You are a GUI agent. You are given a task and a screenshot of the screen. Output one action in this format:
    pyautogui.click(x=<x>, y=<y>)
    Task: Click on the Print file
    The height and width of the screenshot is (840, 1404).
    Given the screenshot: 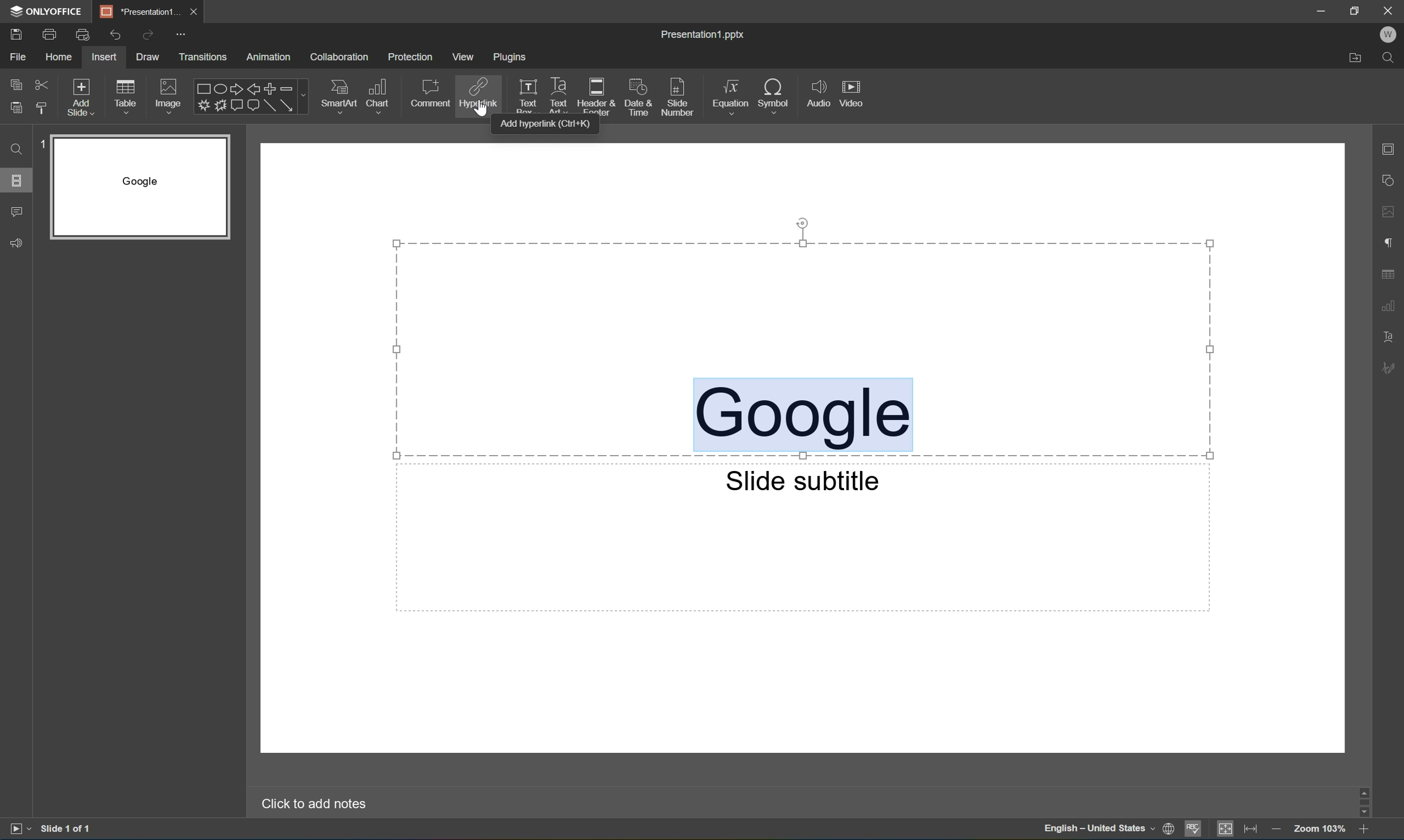 What is the action you would take?
    pyautogui.click(x=50, y=36)
    